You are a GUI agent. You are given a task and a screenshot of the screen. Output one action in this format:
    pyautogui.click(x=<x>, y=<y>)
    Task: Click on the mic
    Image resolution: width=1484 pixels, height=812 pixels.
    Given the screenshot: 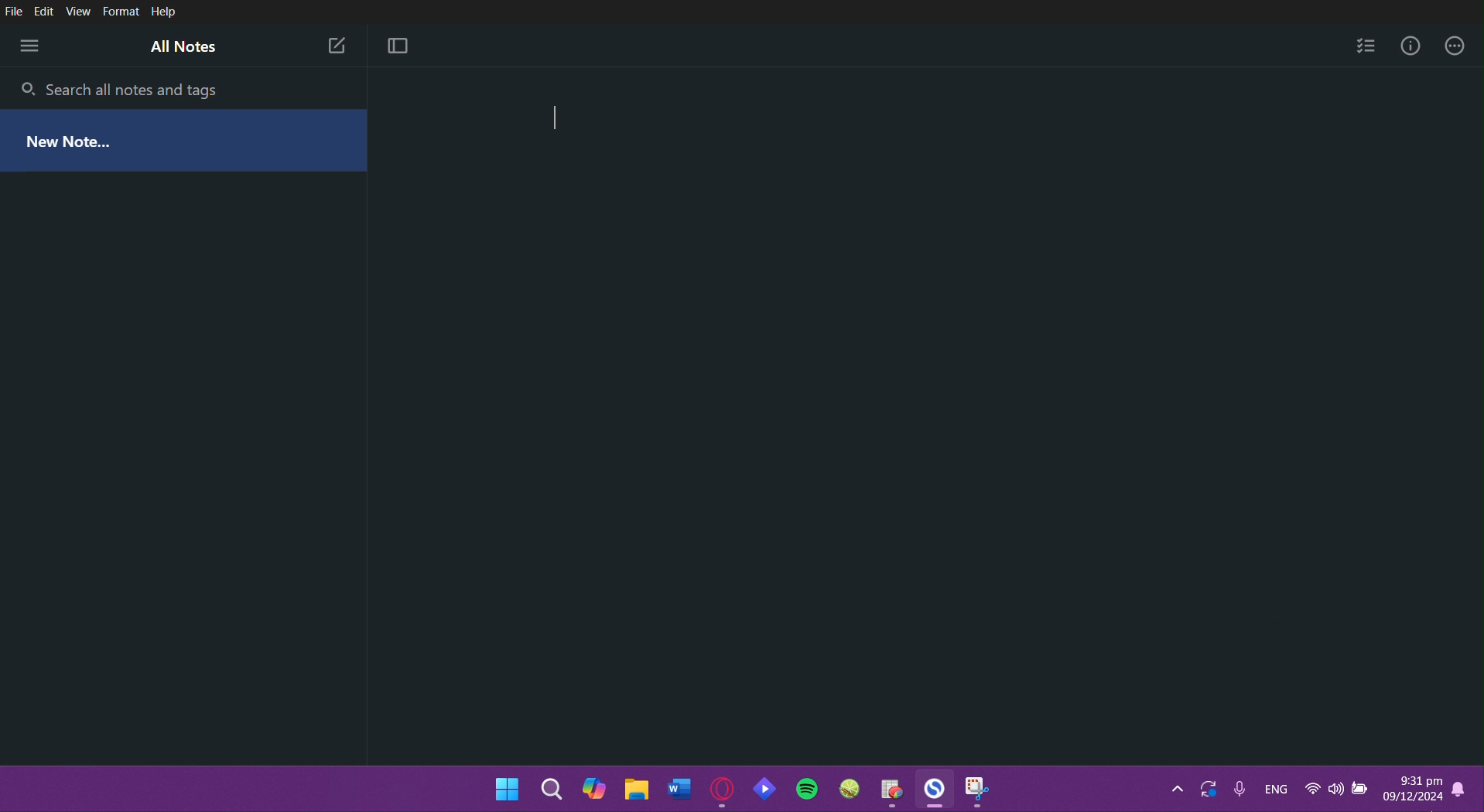 What is the action you would take?
    pyautogui.click(x=1240, y=790)
    